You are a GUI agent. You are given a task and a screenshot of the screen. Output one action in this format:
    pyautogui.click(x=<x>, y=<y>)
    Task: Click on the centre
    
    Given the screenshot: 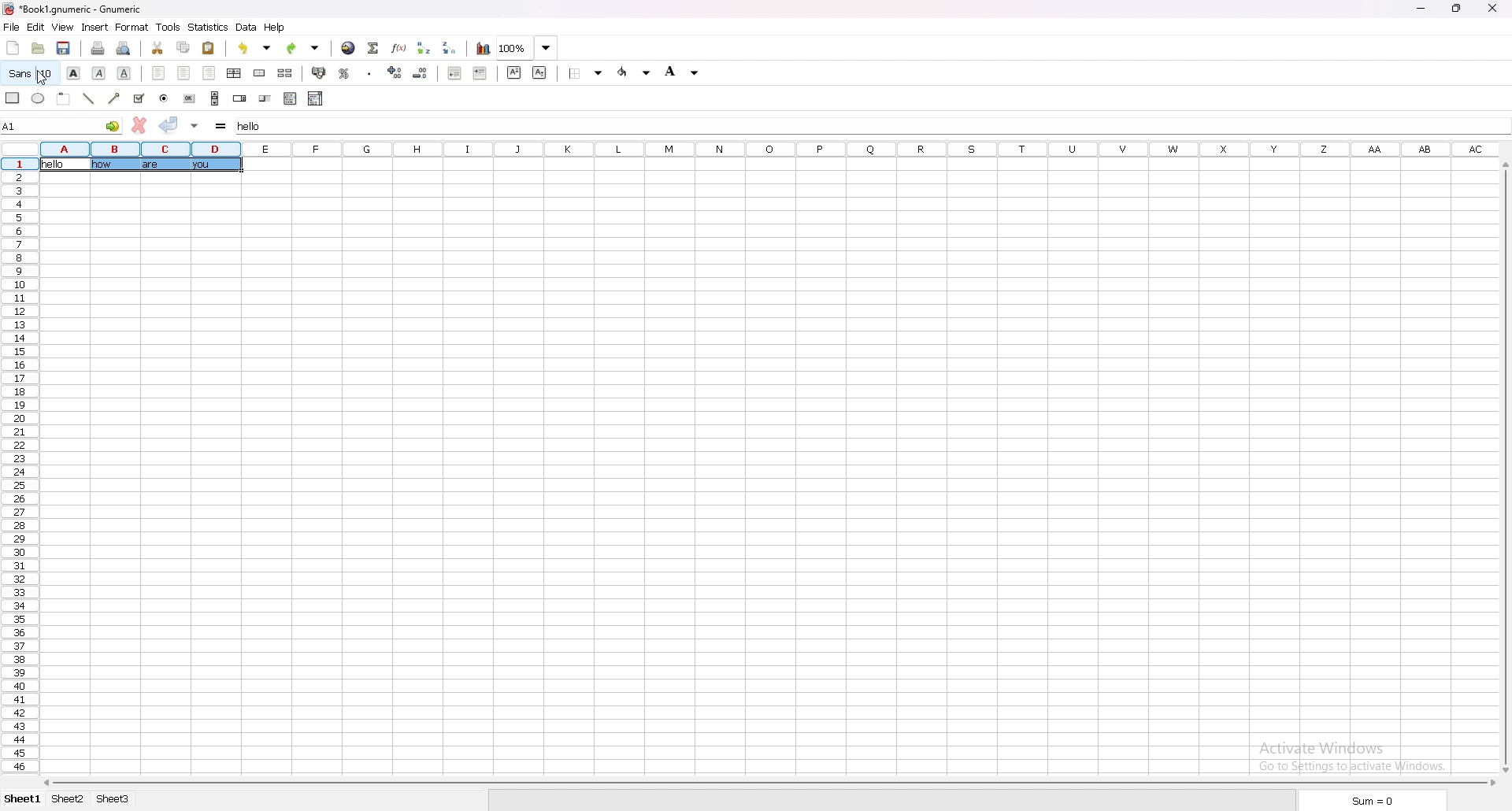 What is the action you would take?
    pyautogui.click(x=183, y=73)
    